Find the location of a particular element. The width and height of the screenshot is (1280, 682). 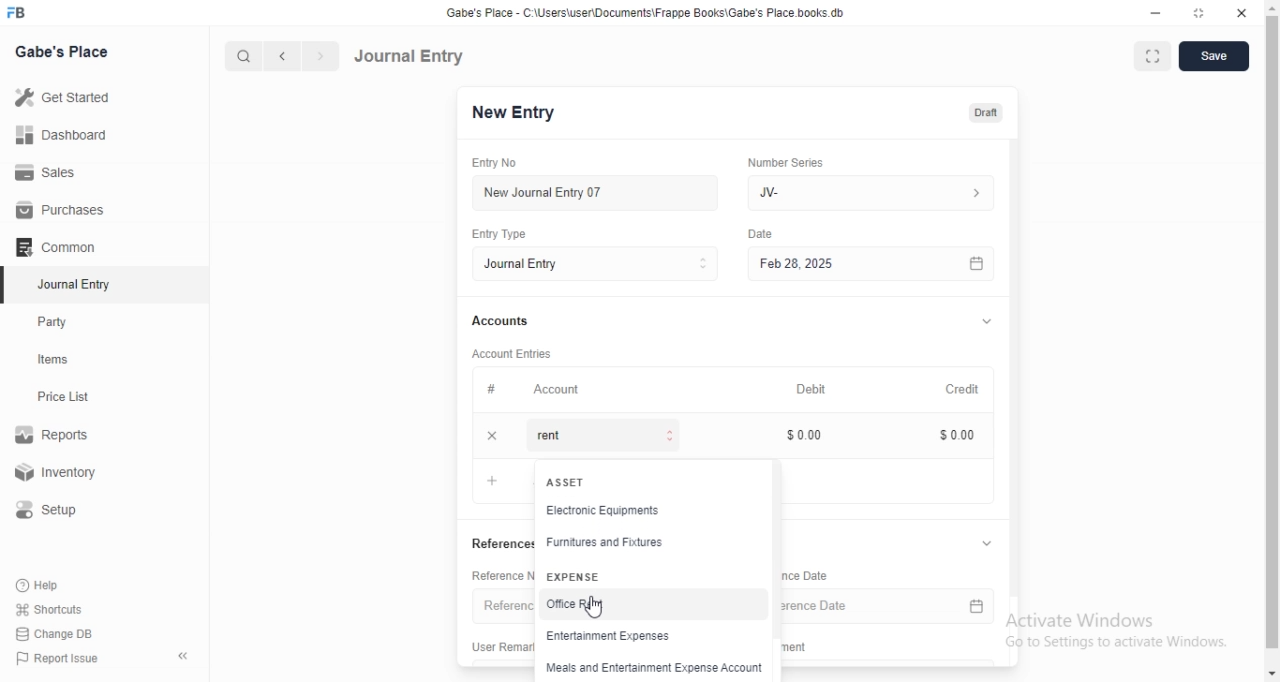

Entertanment Expenses is located at coordinates (615, 638).